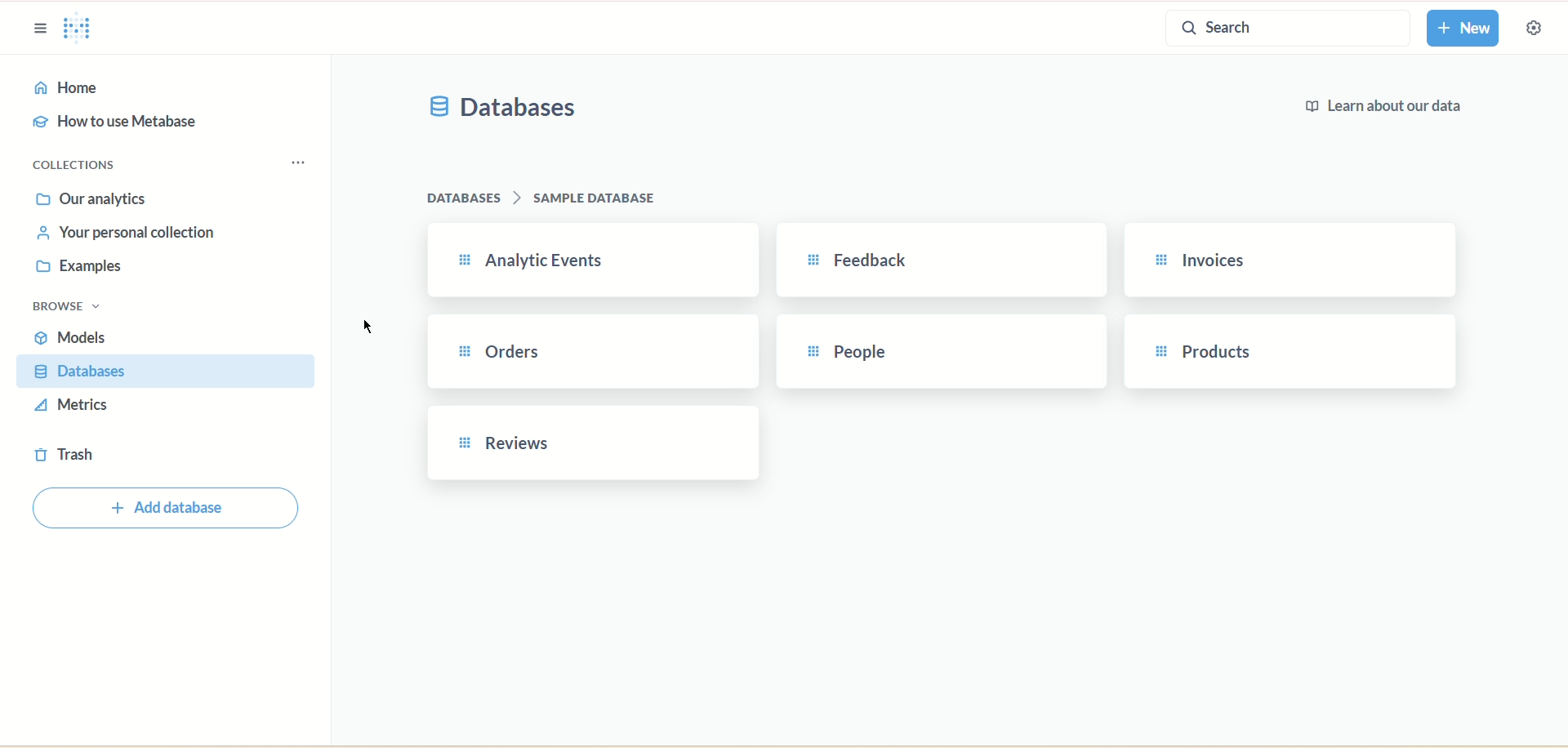 The width and height of the screenshot is (1568, 748). Describe the element at coordinates (89, 167) in the screenshot. I see `collections` at that location.